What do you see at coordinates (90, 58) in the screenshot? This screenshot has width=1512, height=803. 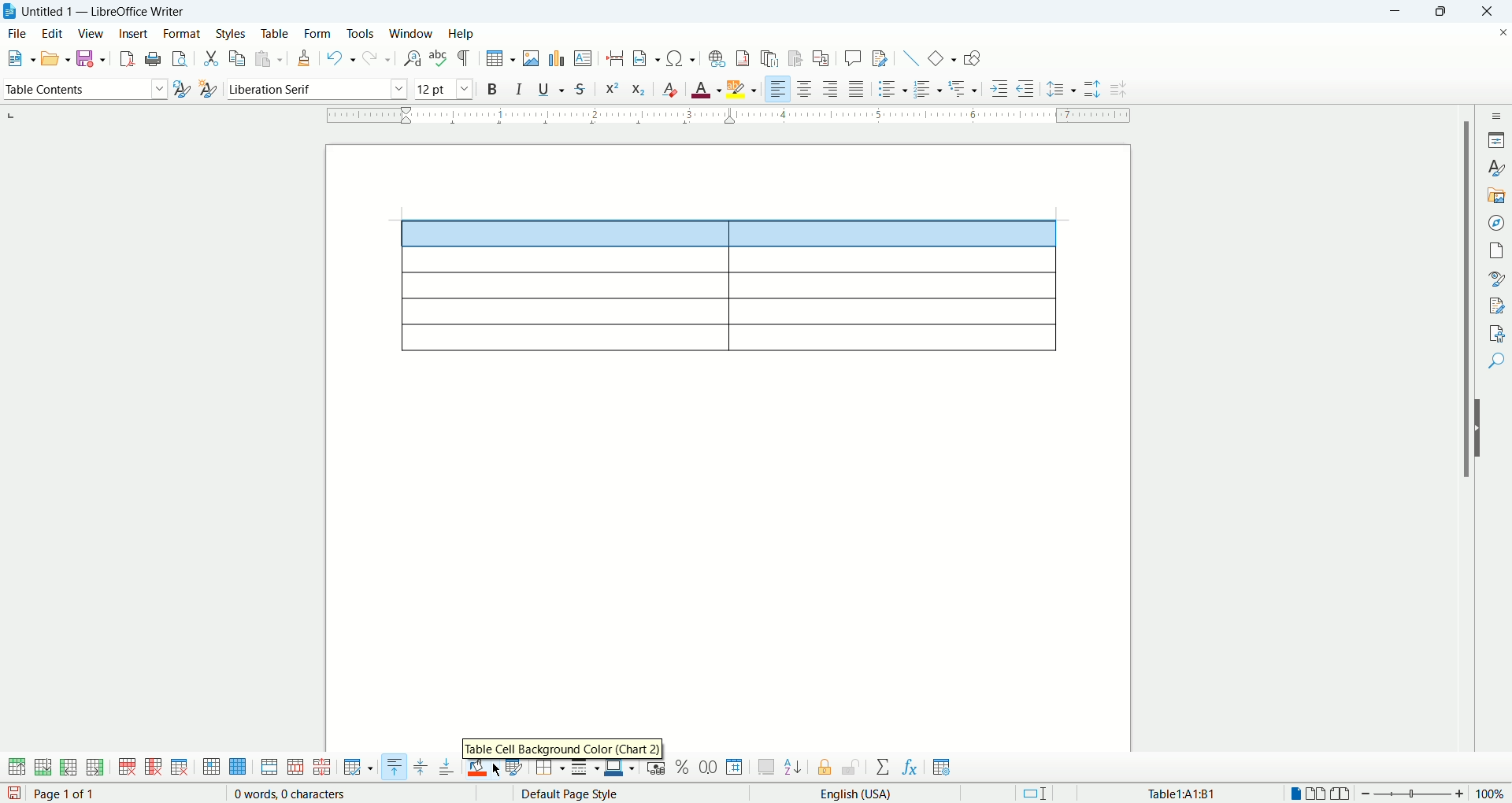 I see `save` at bounding box center [90, 58].